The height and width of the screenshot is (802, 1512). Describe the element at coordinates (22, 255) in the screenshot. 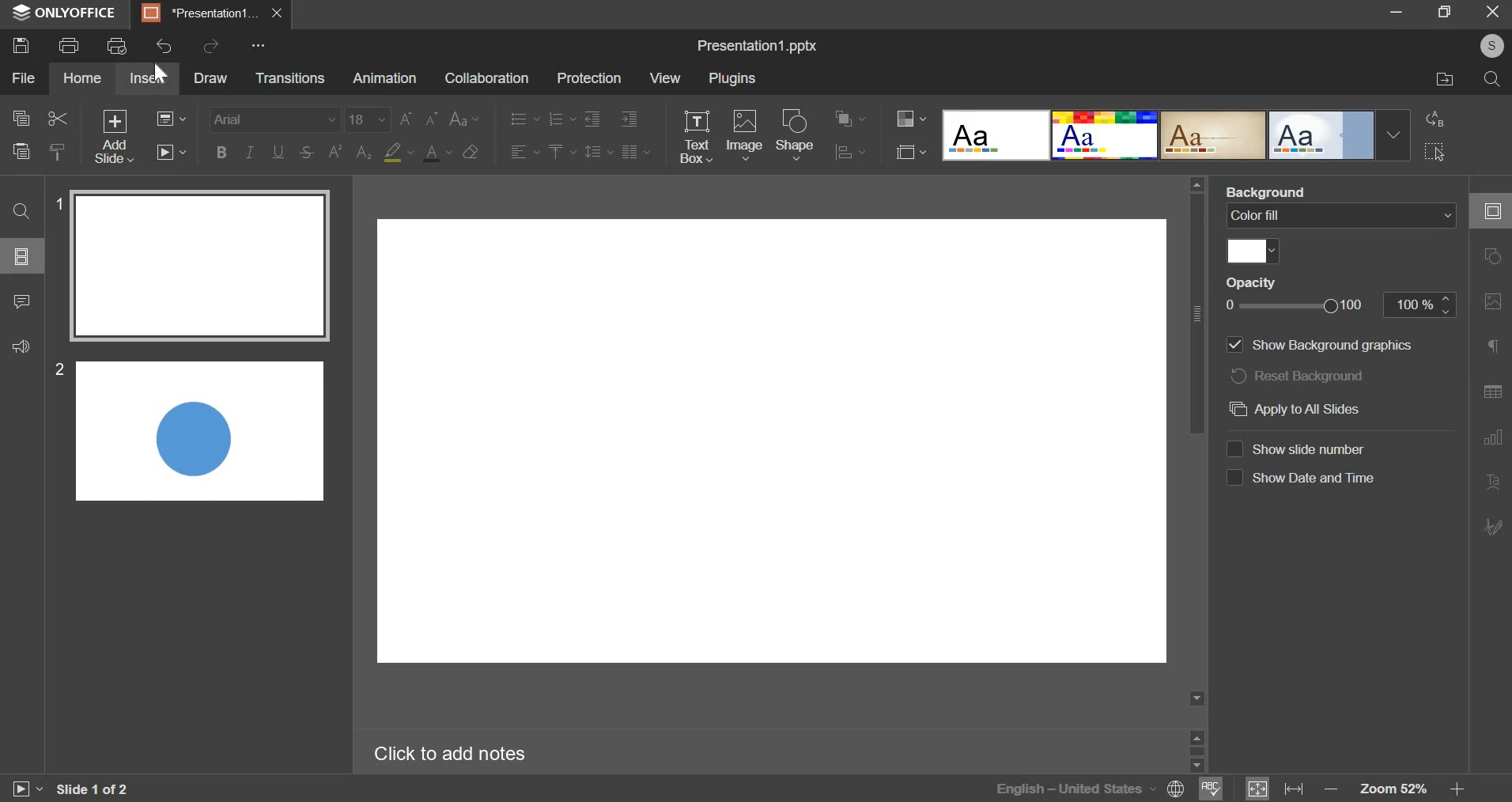

I see `slide` at that location.